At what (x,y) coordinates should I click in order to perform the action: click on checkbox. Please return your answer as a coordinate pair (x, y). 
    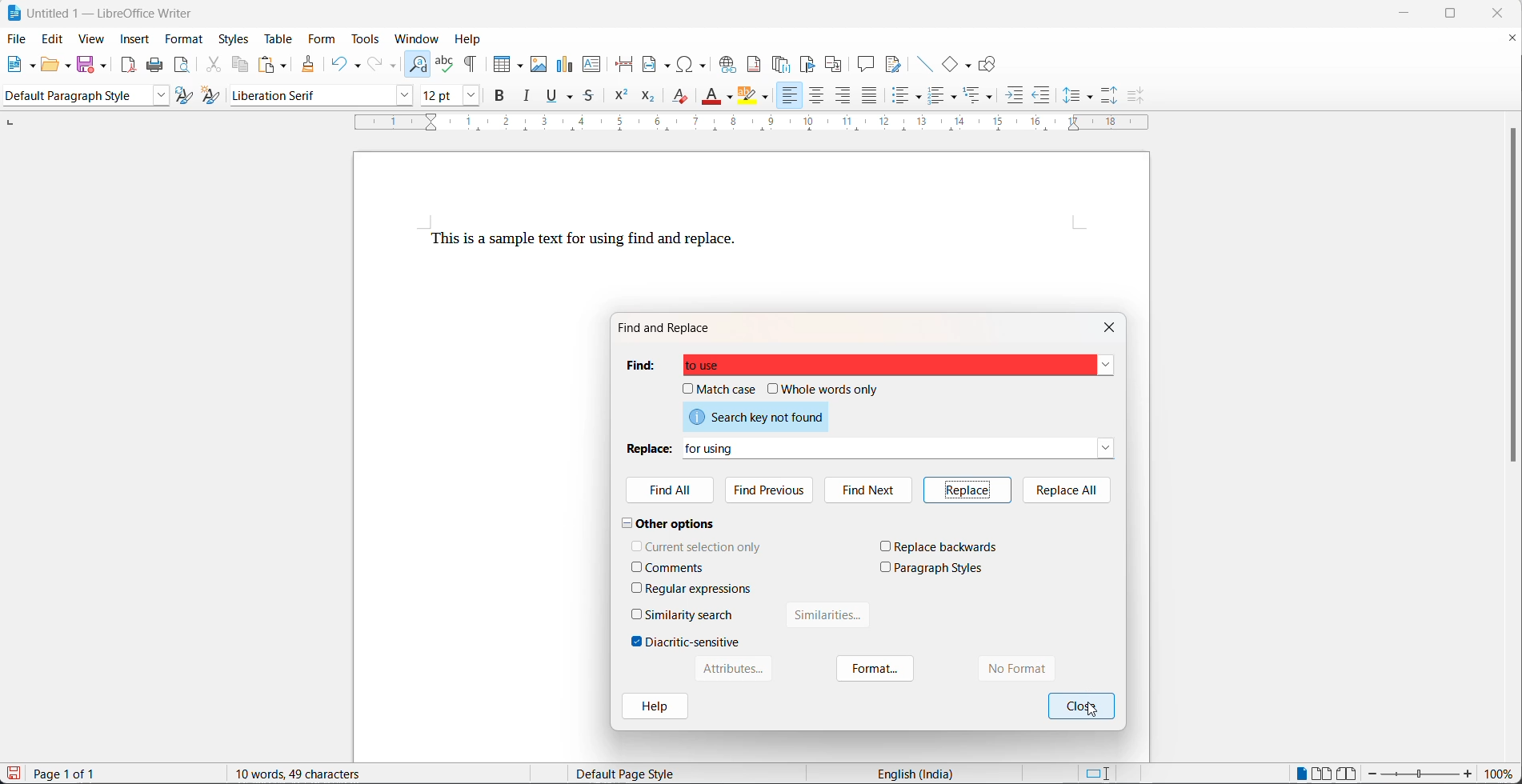
    Looking at the image, I should click on (886, 546).